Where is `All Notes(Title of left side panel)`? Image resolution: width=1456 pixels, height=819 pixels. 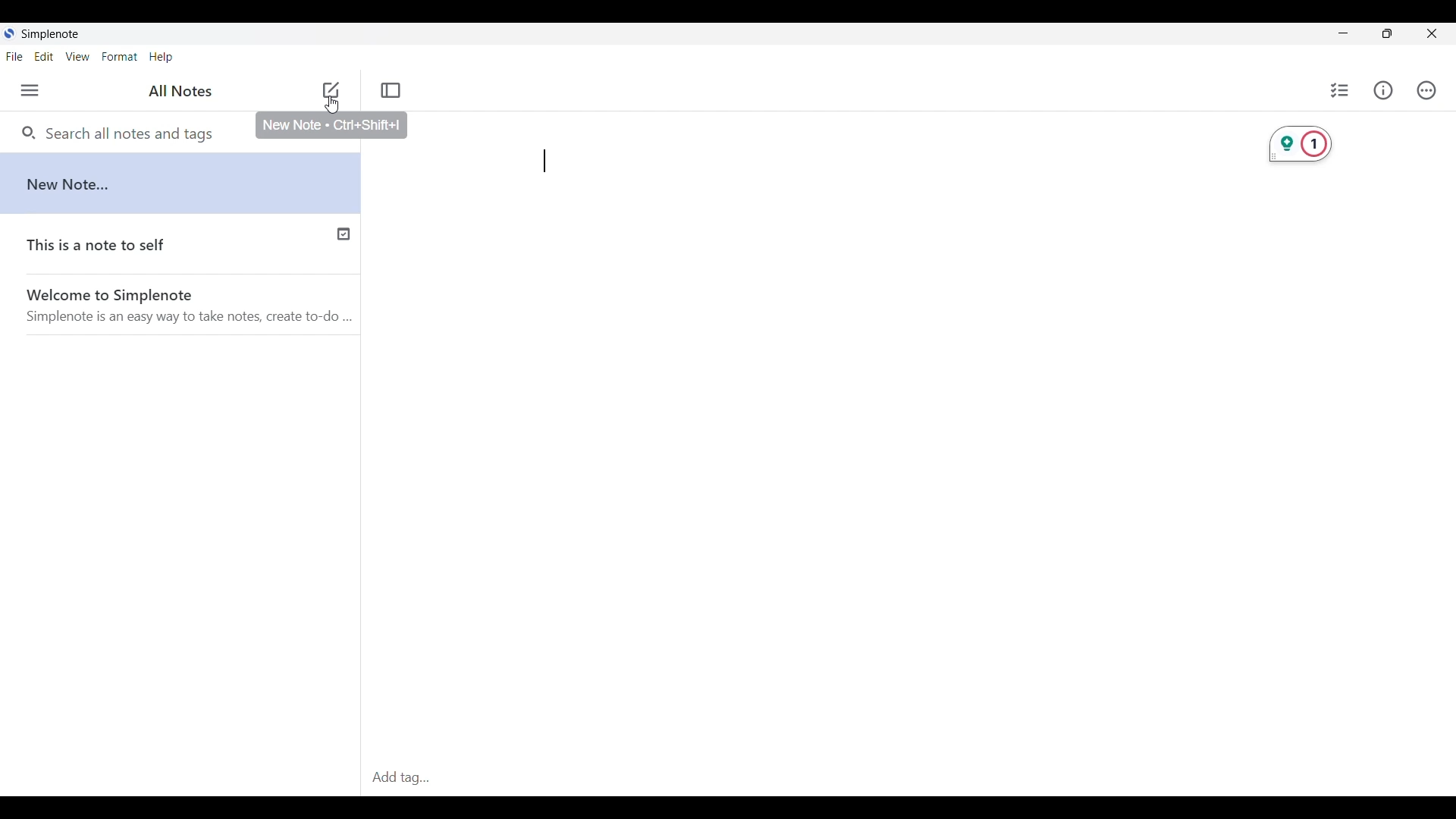 All Notes(Title of left side panel) is located at coordinates (180, 91).